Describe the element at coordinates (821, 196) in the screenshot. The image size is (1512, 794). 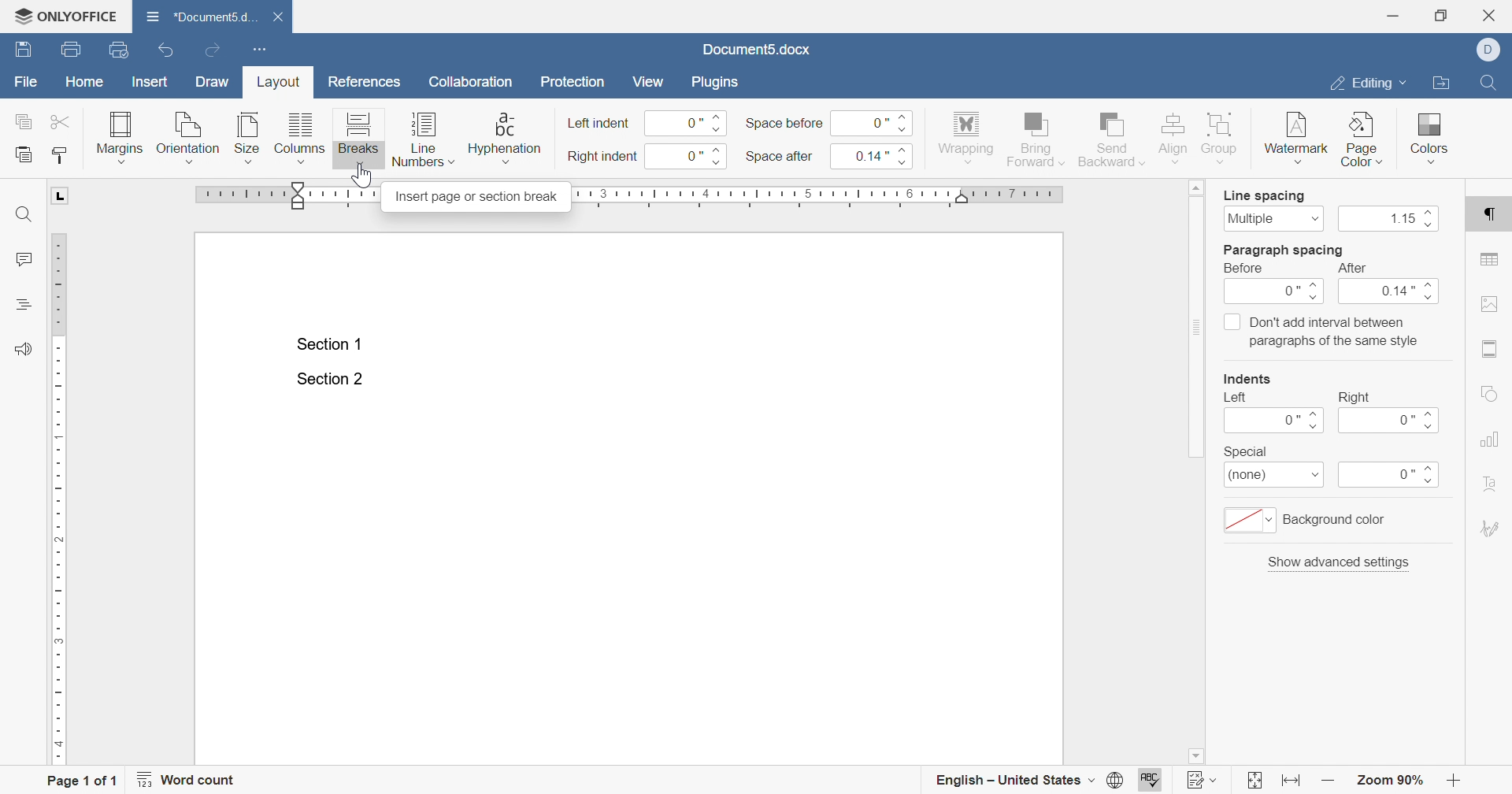
I see `ruler` at that location.